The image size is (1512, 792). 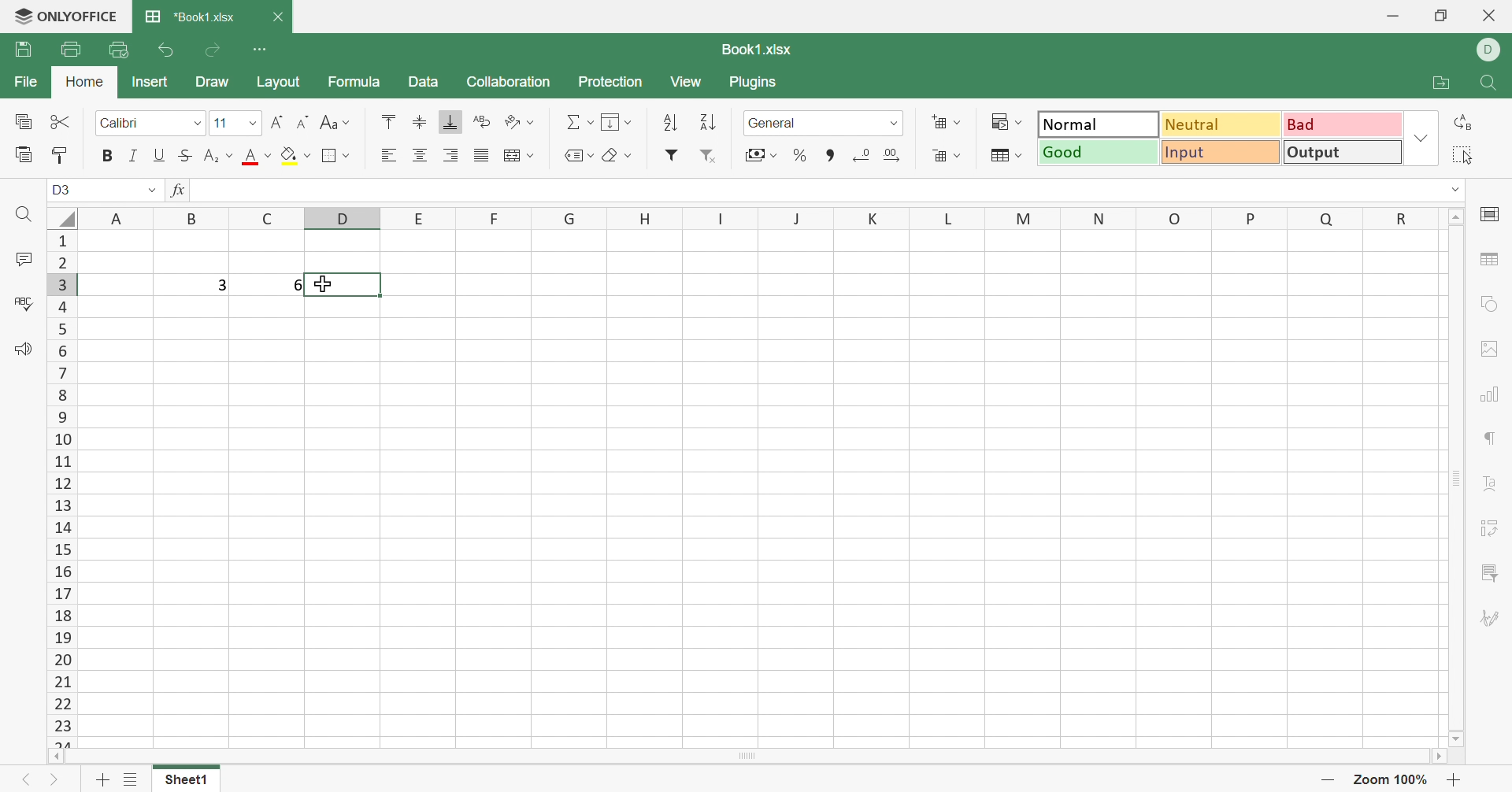 What do you see at coordinates (1220, 151) in the screenshot?
I see `Input` at bounding box center [1220, 151].